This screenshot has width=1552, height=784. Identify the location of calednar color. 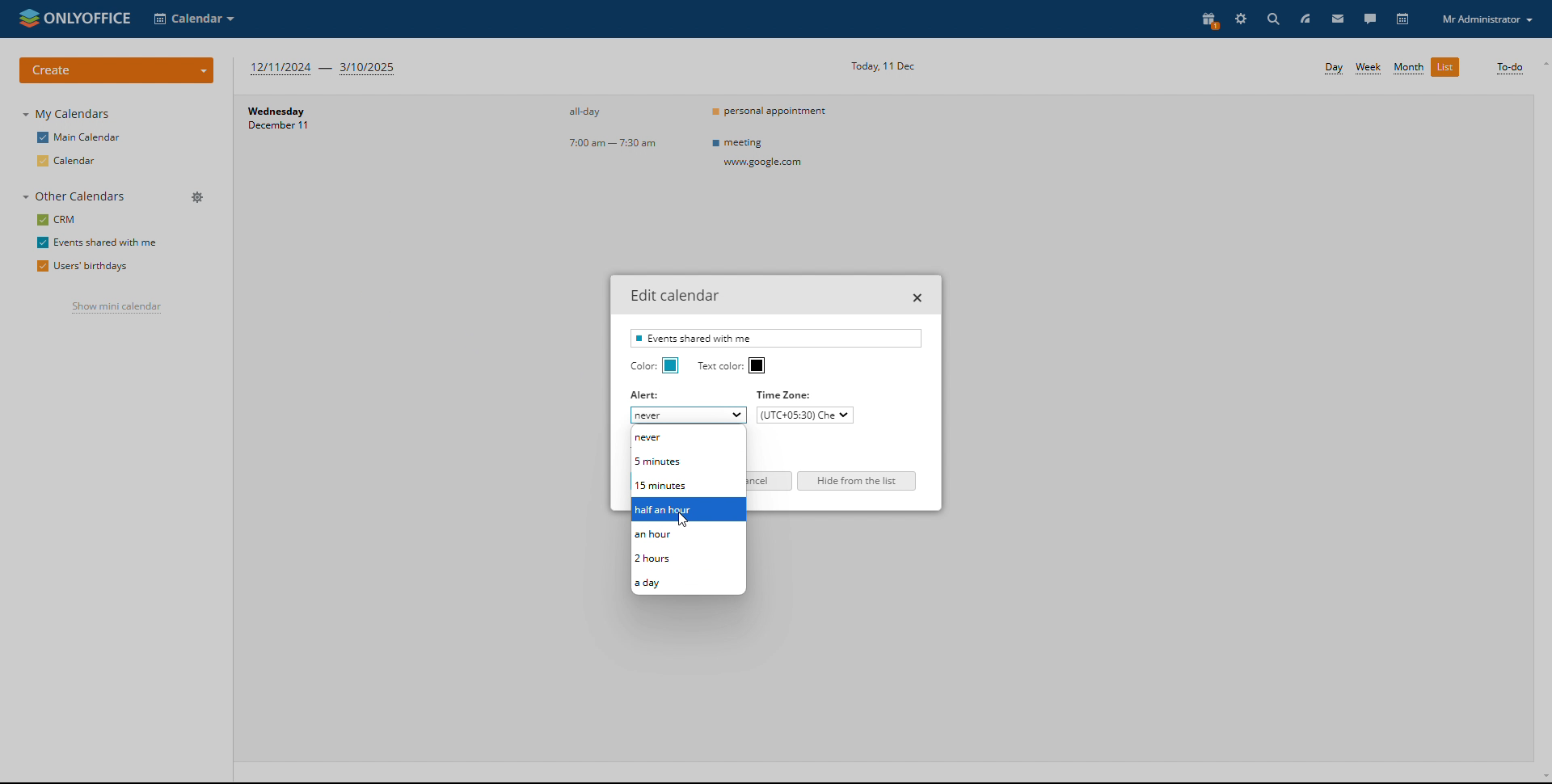
(671, 365).